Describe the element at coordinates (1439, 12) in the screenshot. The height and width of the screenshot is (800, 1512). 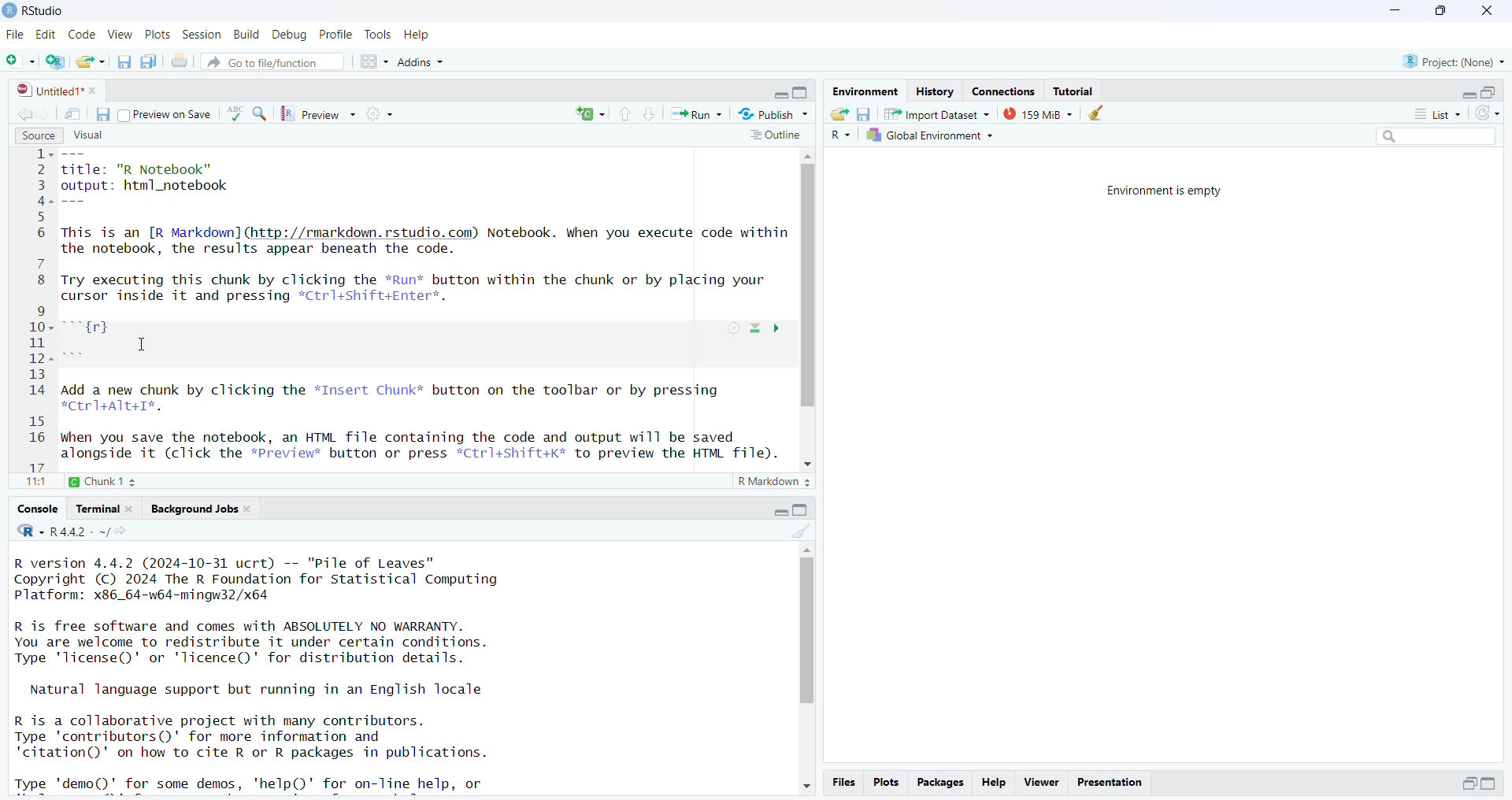
I see `maximize` at that location.